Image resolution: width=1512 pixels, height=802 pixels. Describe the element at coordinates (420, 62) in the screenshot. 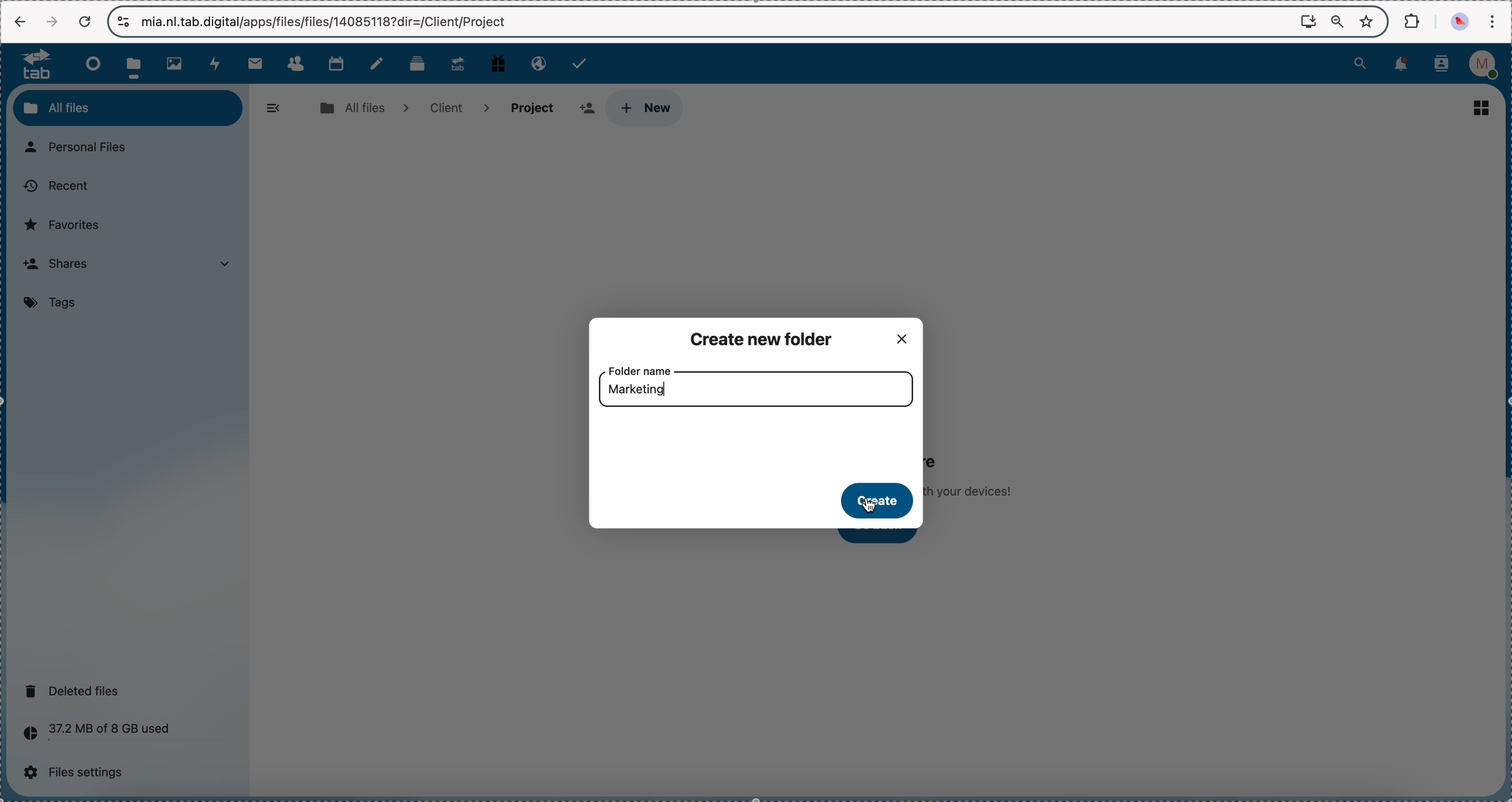

I see `deck` at that location.